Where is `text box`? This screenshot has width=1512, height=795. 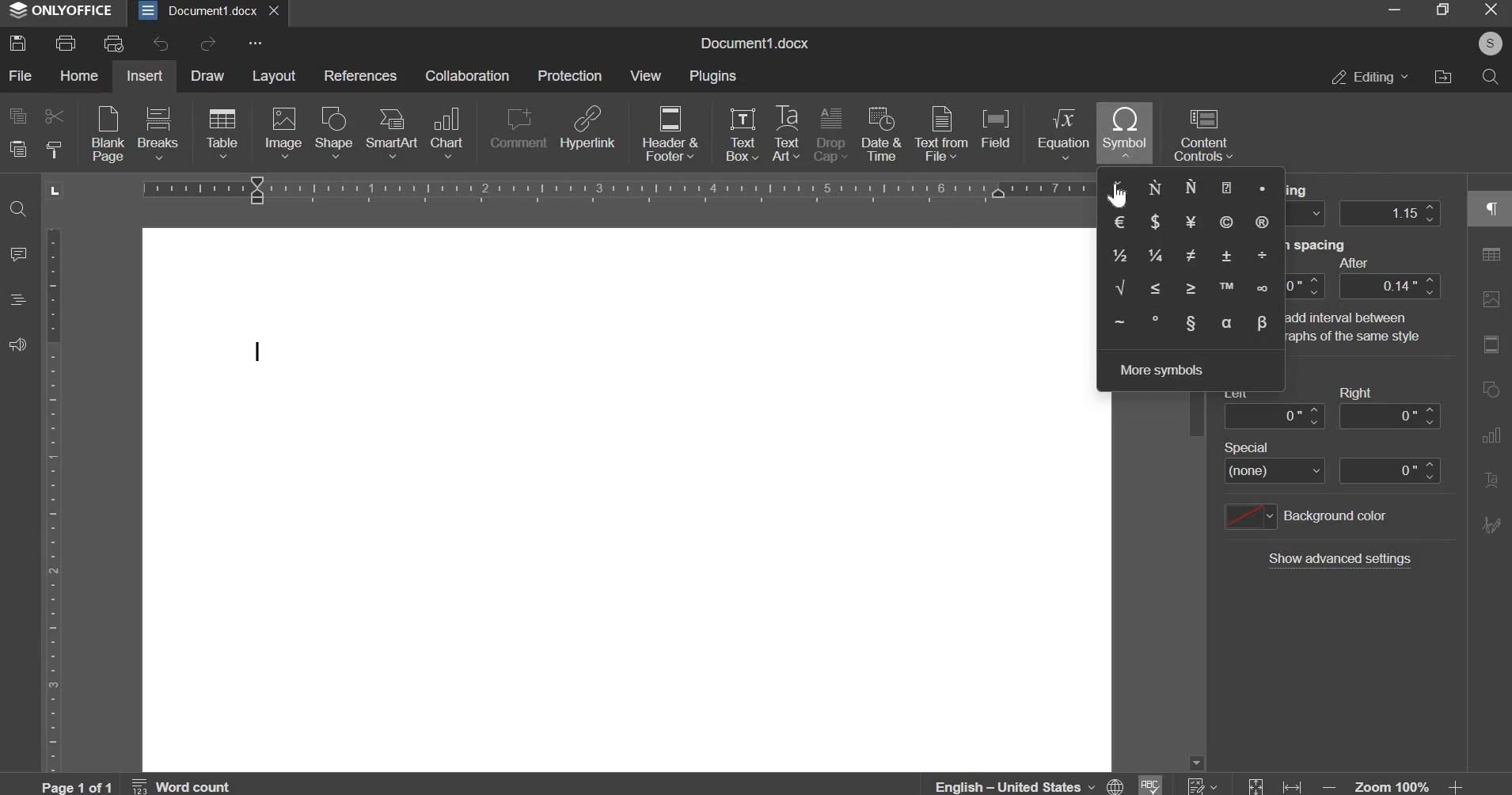 text box is located at coordinates (742, 134).